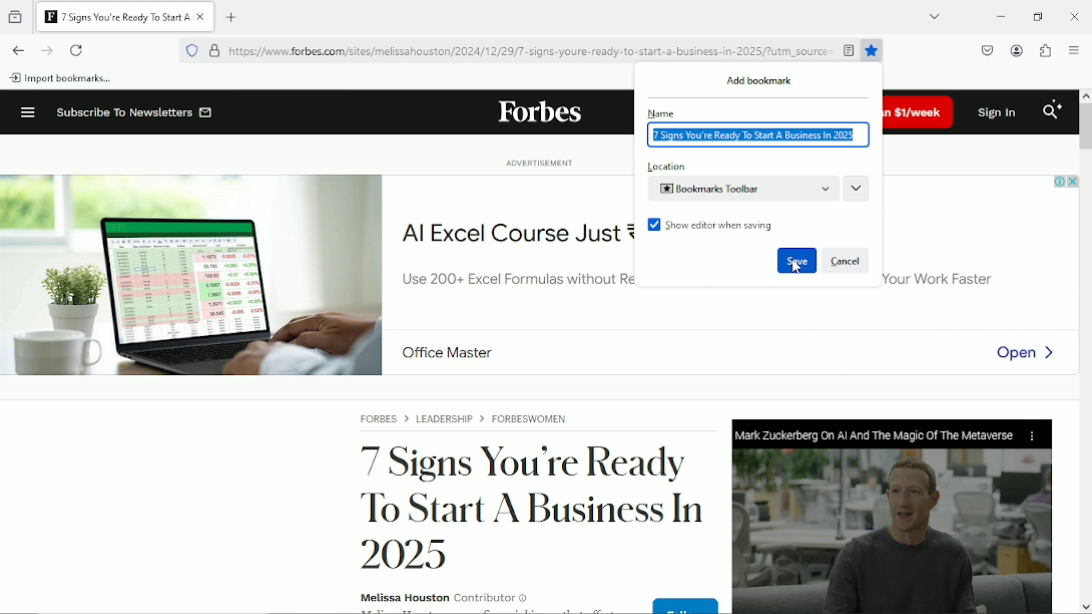  What do you see at coordinates (740, 180) in the screenshot?
I see `Location` at bounding box center [740, 180].